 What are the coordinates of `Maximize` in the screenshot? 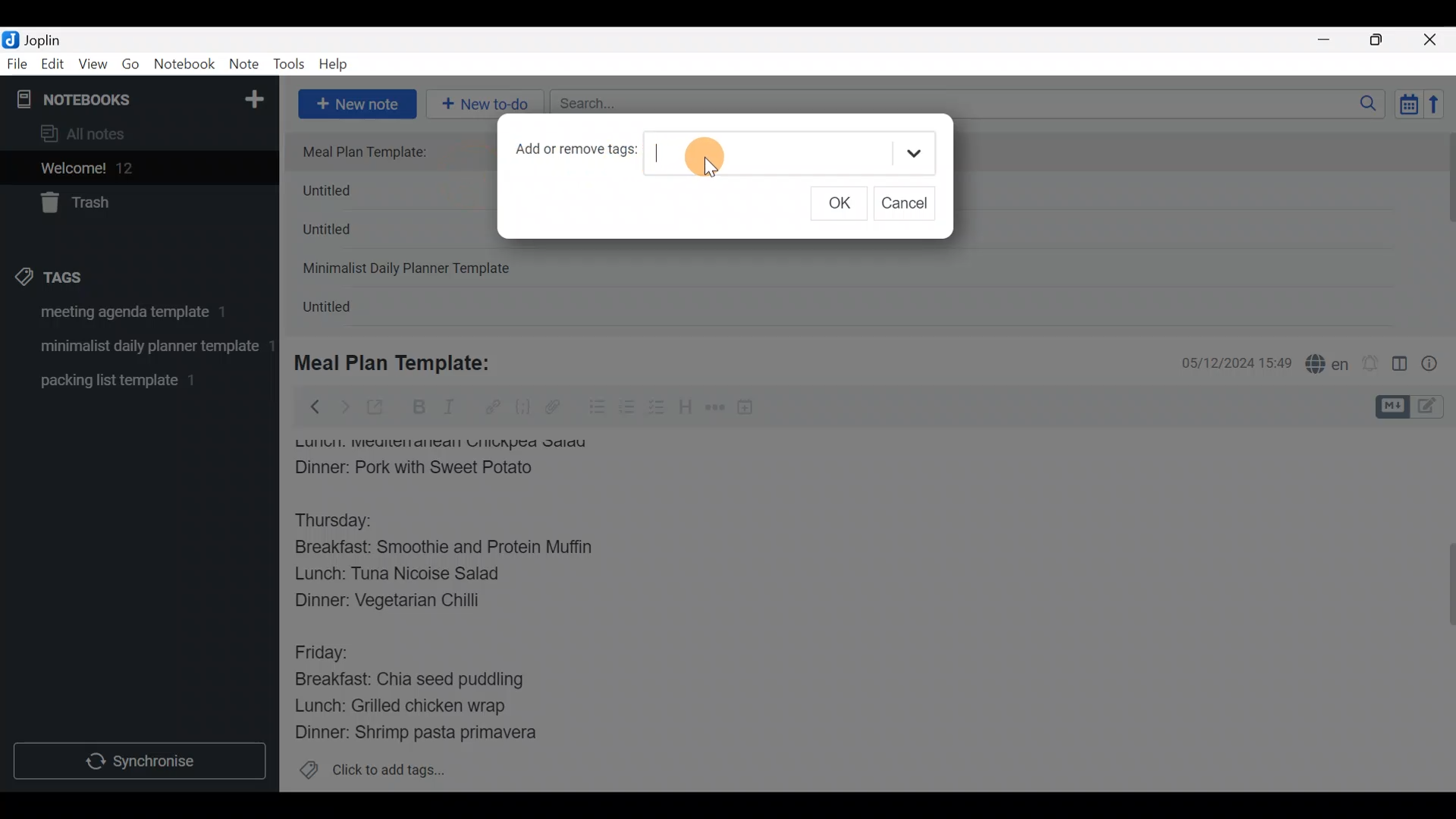 It's located at (1385, 40).